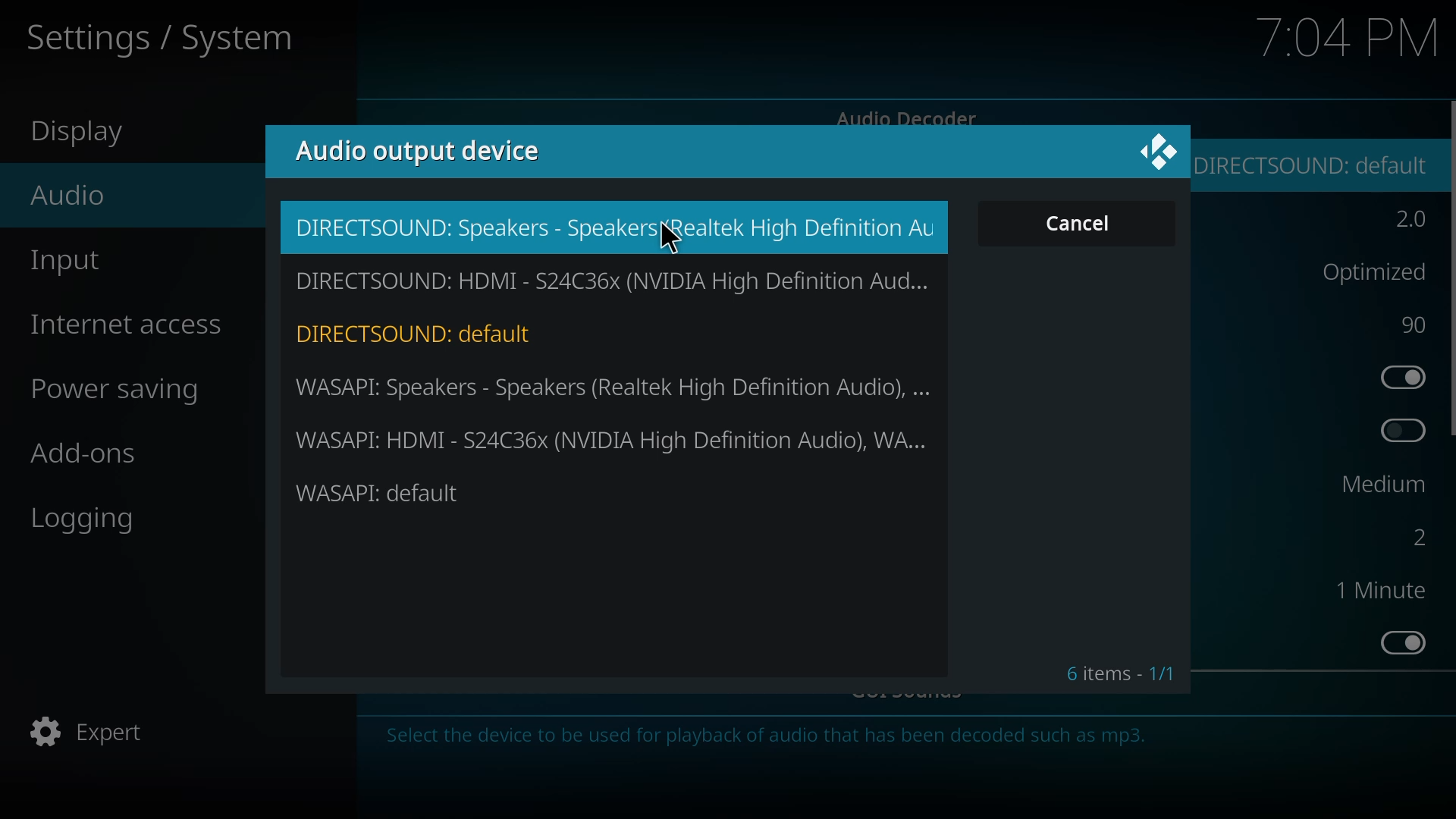 The image size is (1456, 819). What do you see at coordinates (614, 438) in the screenshot?
I see `hdmi` at bounding box center [614, 438].